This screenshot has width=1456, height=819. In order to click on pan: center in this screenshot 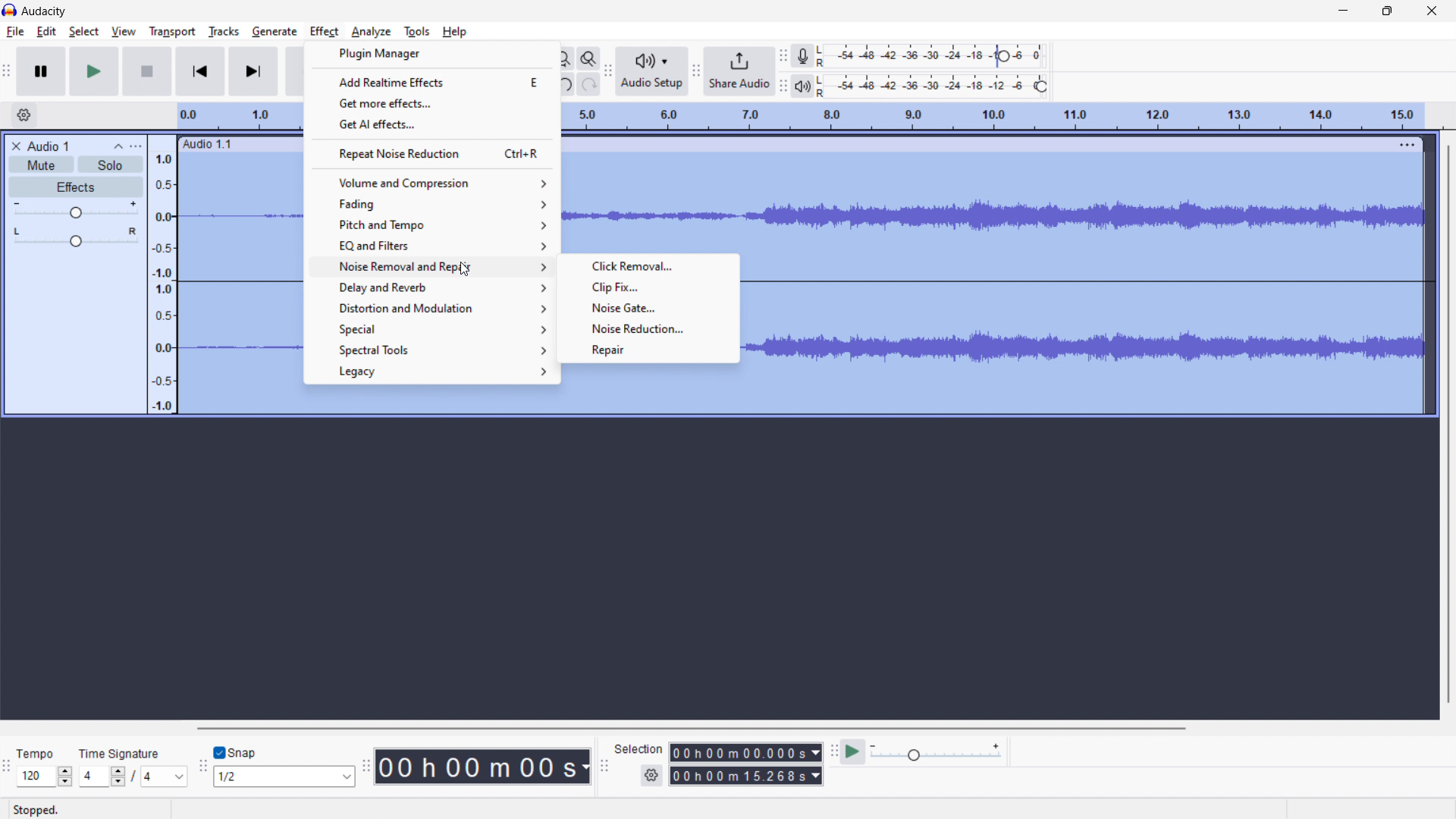, I will do `click(77, 237)`.